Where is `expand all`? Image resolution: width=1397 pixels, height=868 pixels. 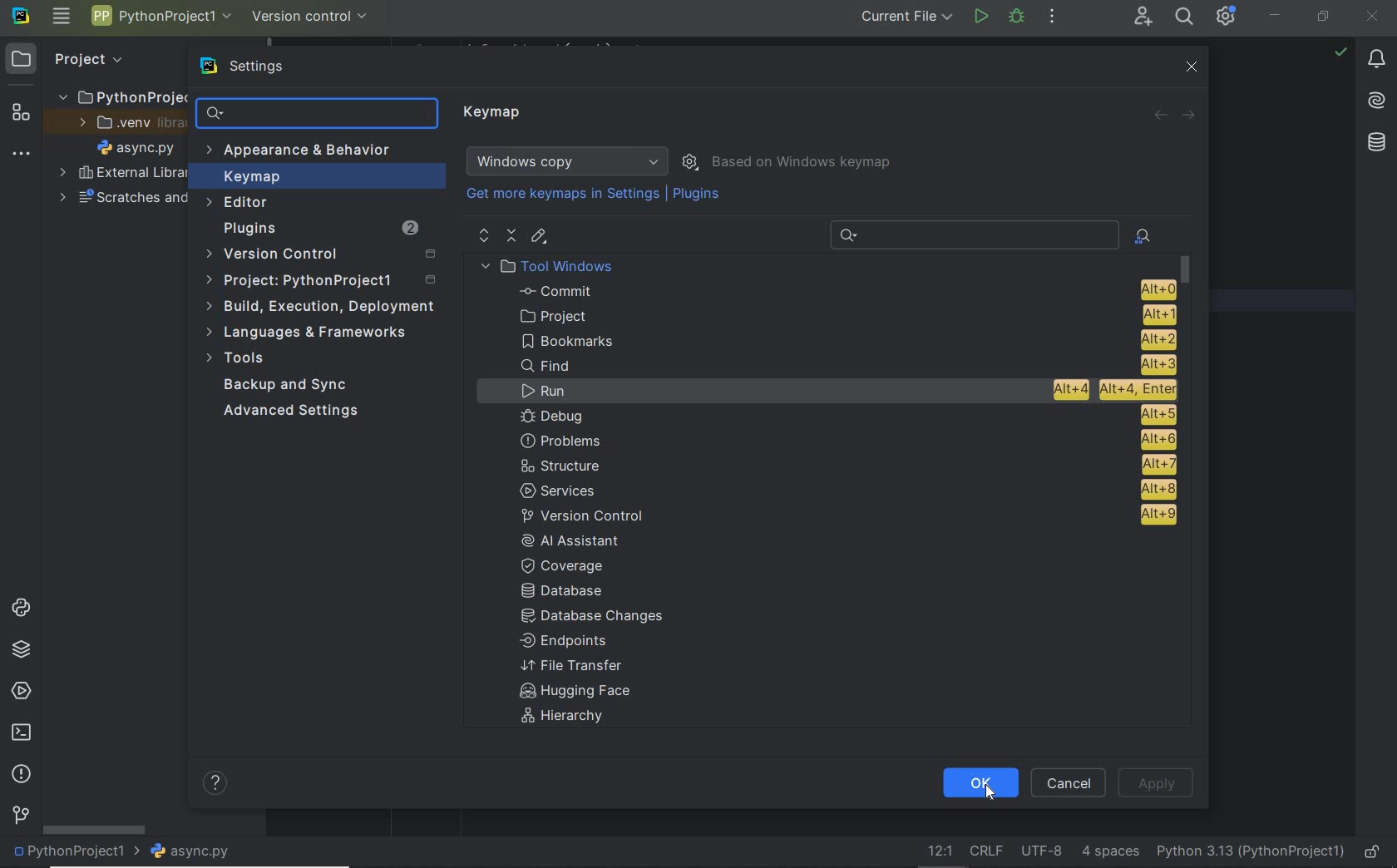
expand all is located at coordinates (482, 235).